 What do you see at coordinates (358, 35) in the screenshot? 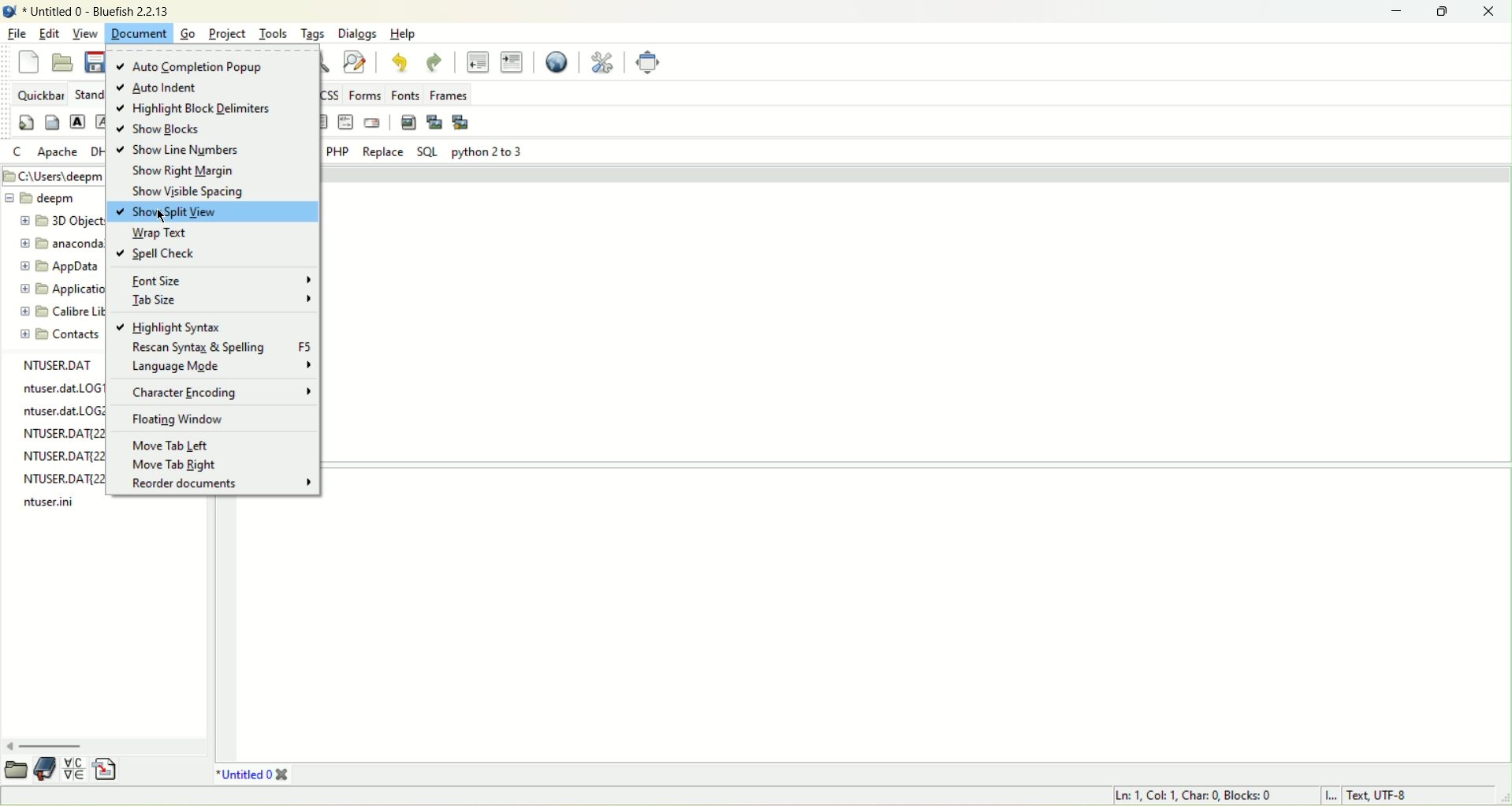
I see `dialogs` at bounding box center [358, 35].